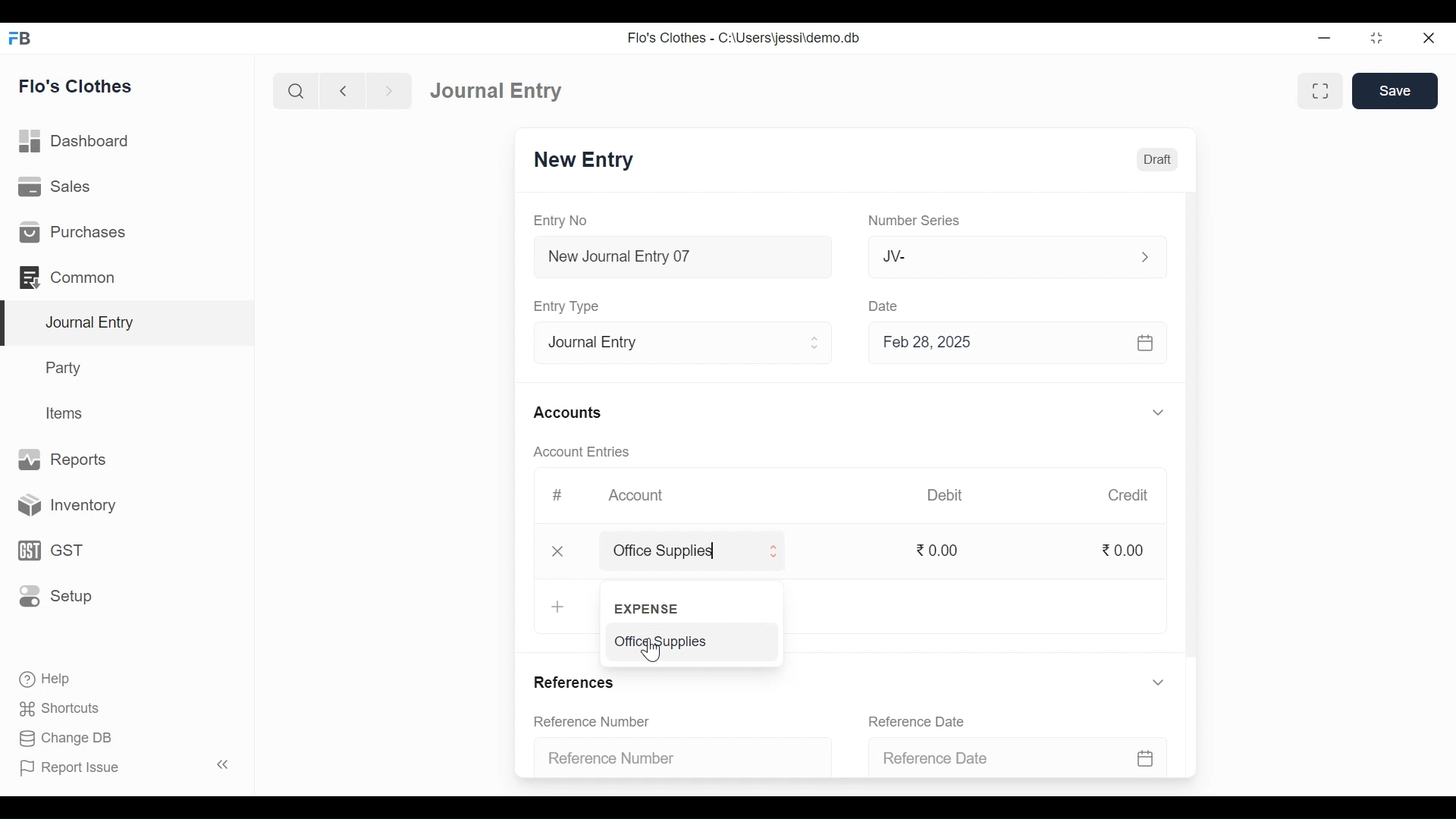 This screenshot has width=1456, height=819. Describe the element at coordinates (558, 494) in the screenshot. I see `#` at that location.